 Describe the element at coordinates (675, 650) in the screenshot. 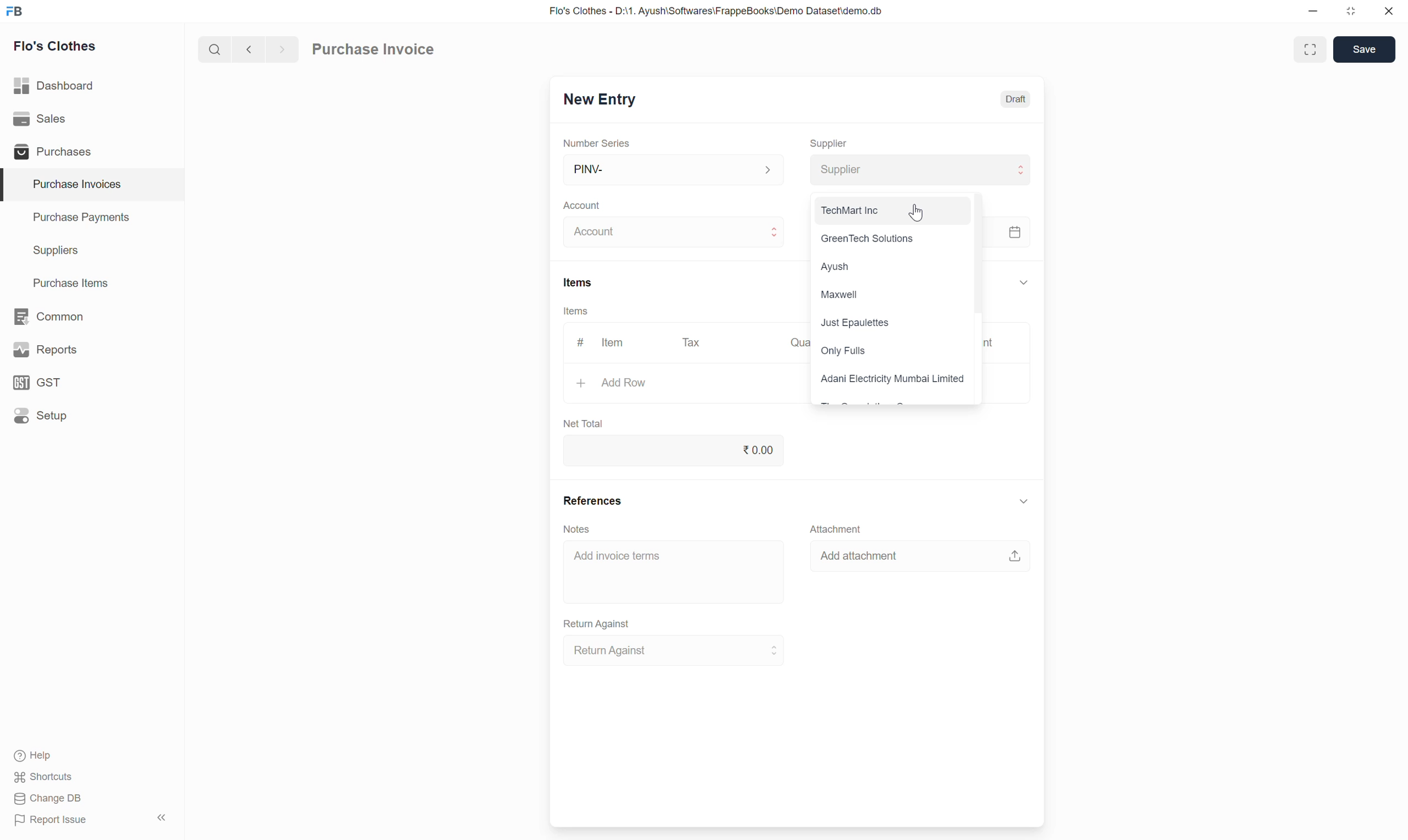

I see `Return Against` at that location.